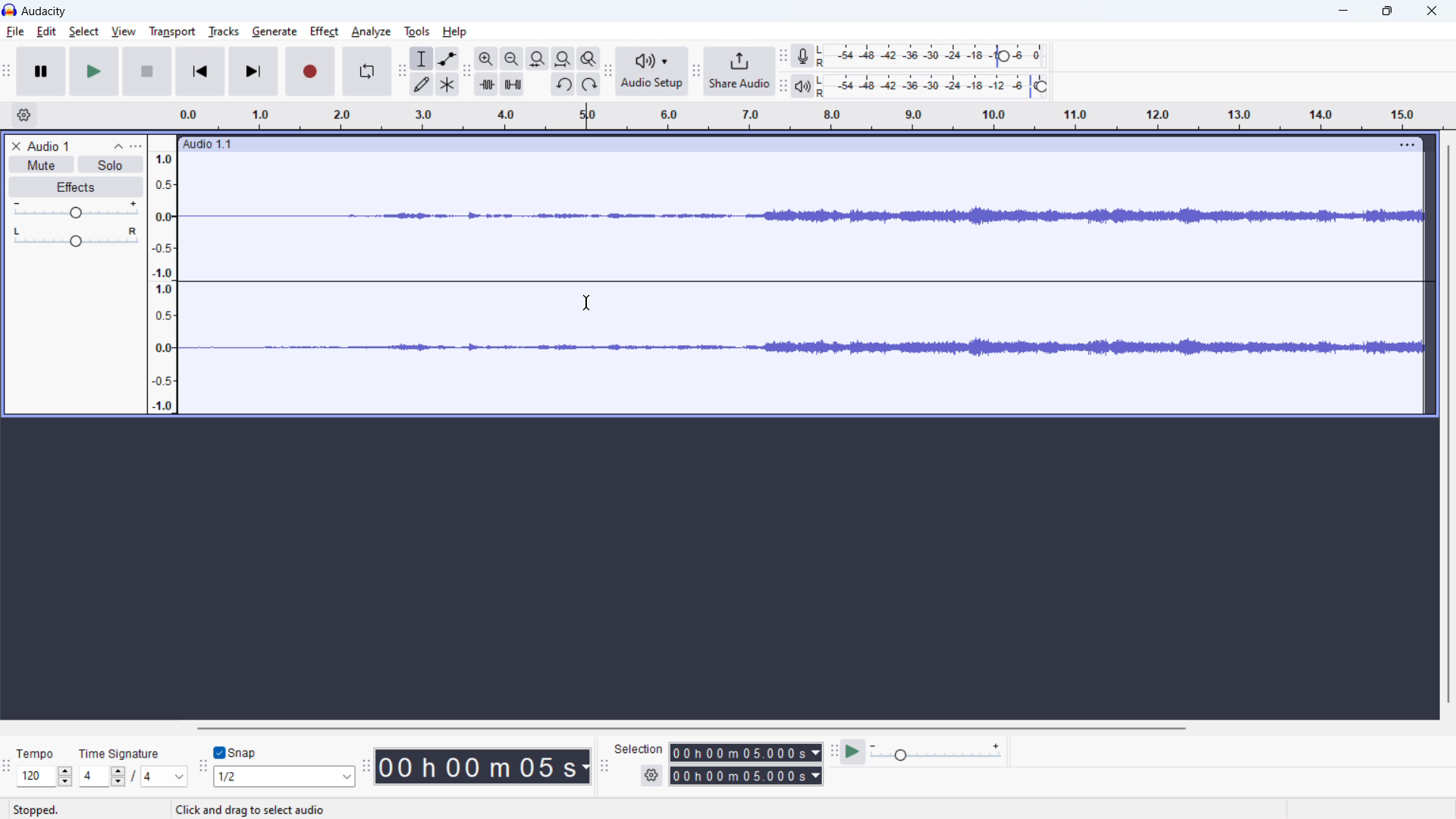  I want to click on audio setup toolbar, so click(607, 71).